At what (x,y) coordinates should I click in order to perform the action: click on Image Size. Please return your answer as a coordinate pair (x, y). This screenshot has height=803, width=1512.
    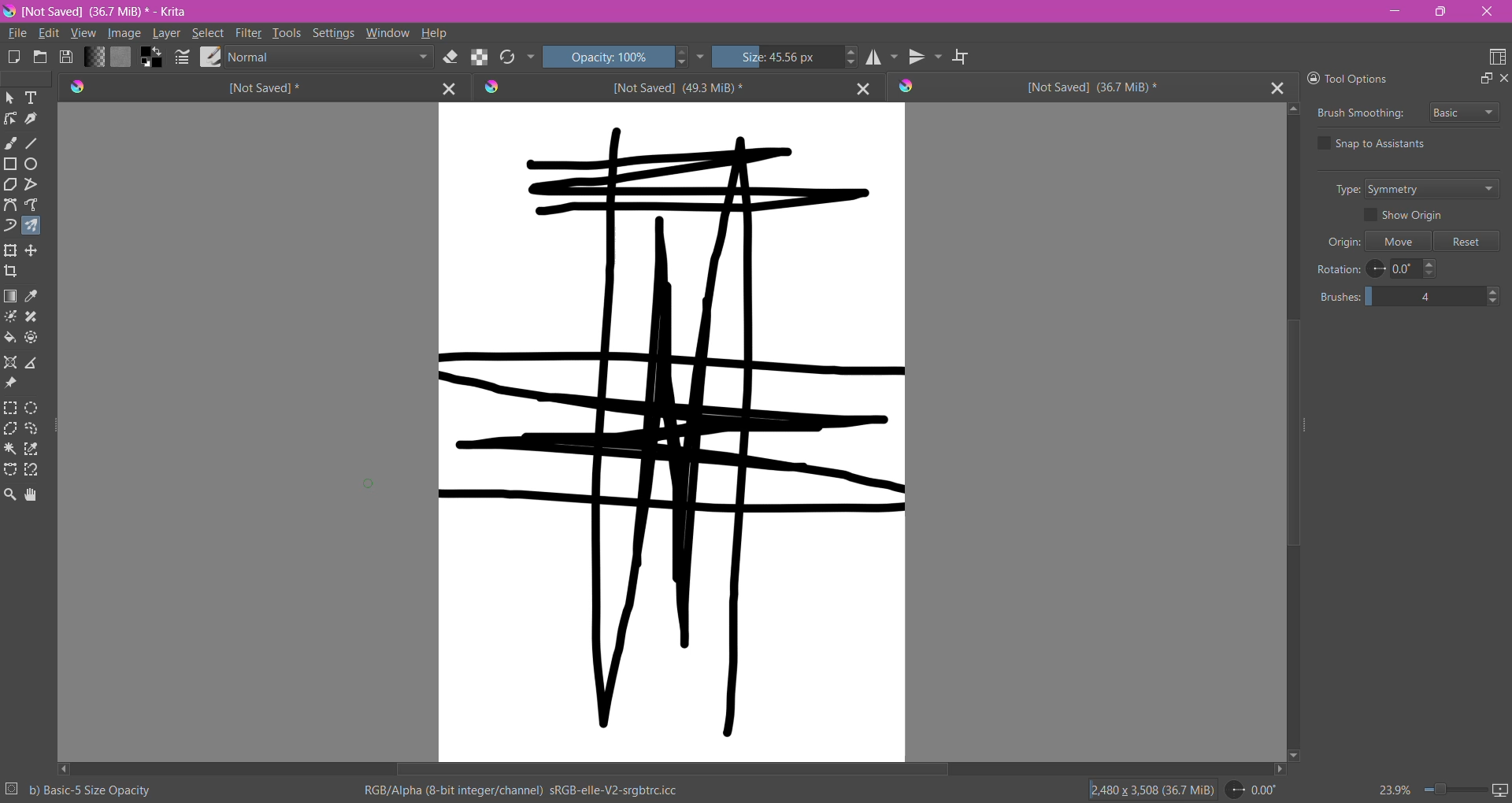
    Looking at the image, I should click on (1147, 790).